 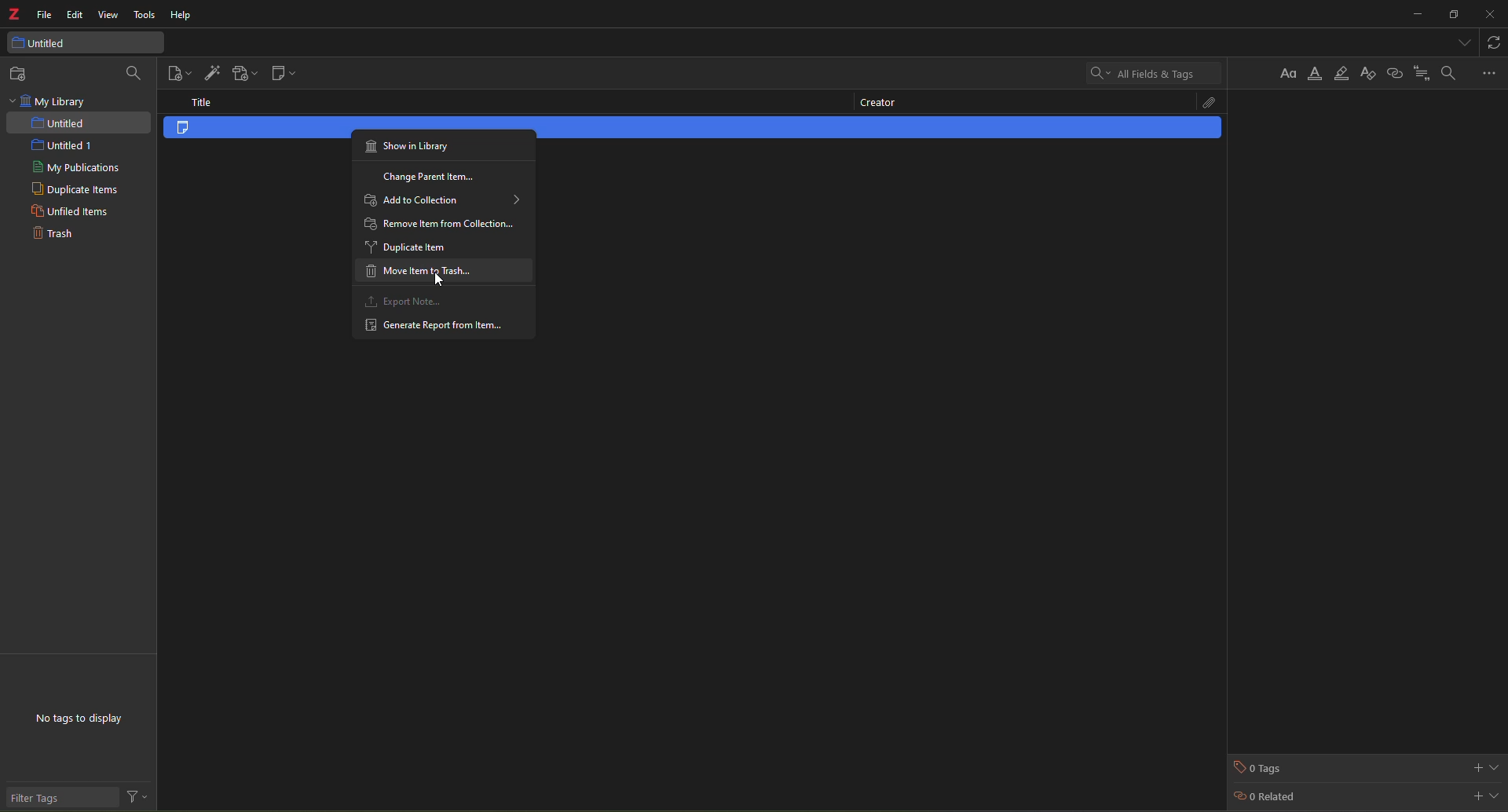 I want to click on untitled, so click(x=42, y=43).